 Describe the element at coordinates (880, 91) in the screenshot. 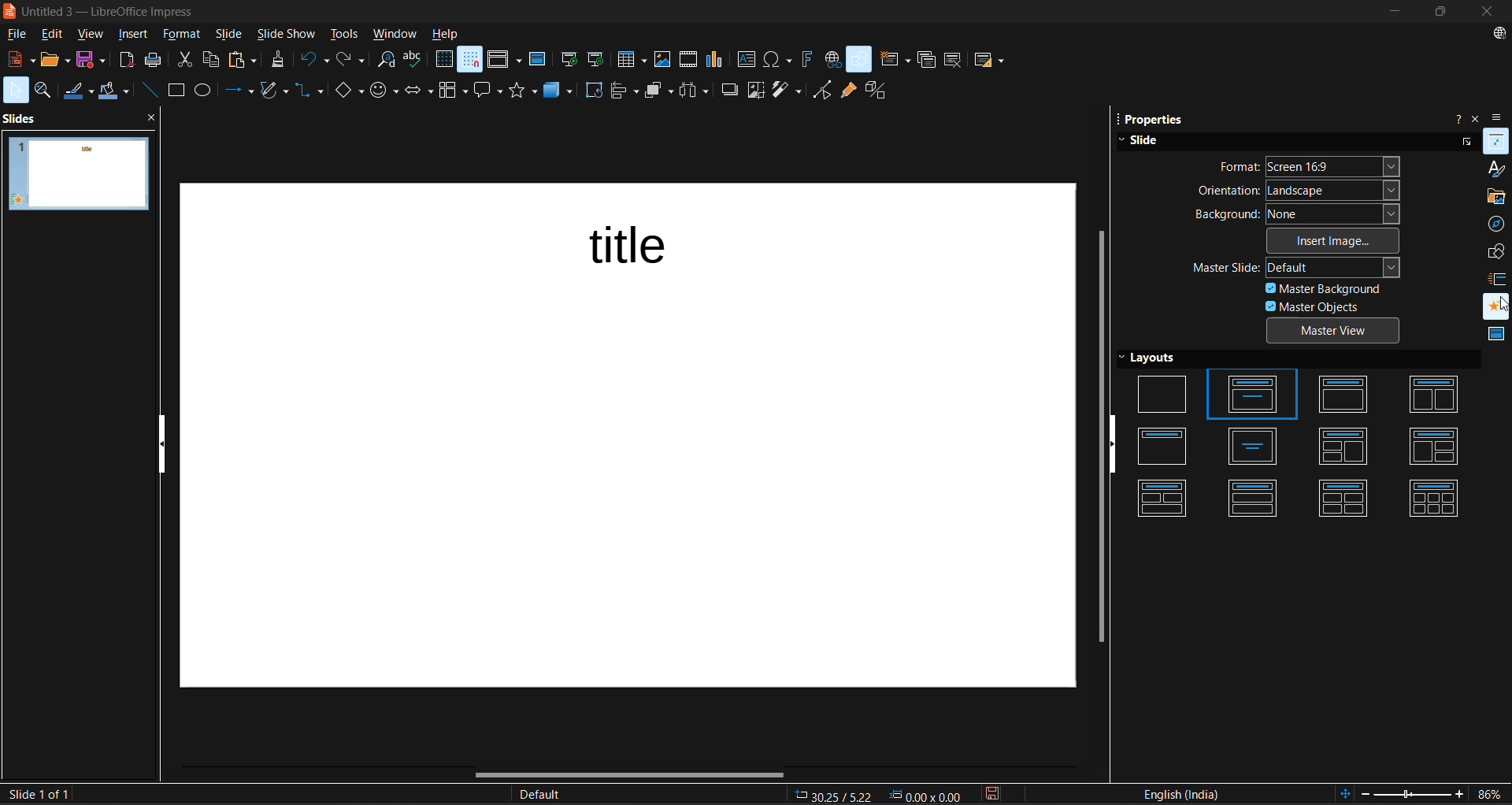

I see `toggle extrusion` at that location.